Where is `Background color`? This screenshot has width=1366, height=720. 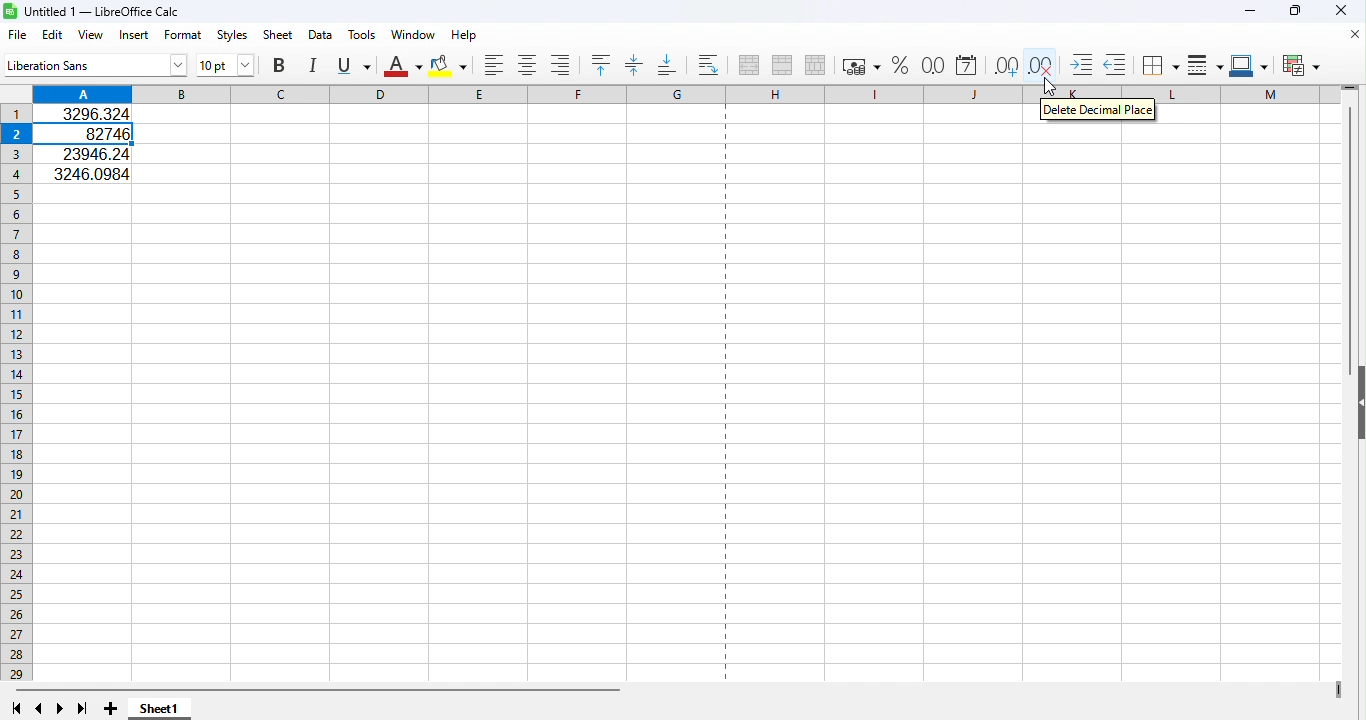 Background color is located at coordinates (449, 66).